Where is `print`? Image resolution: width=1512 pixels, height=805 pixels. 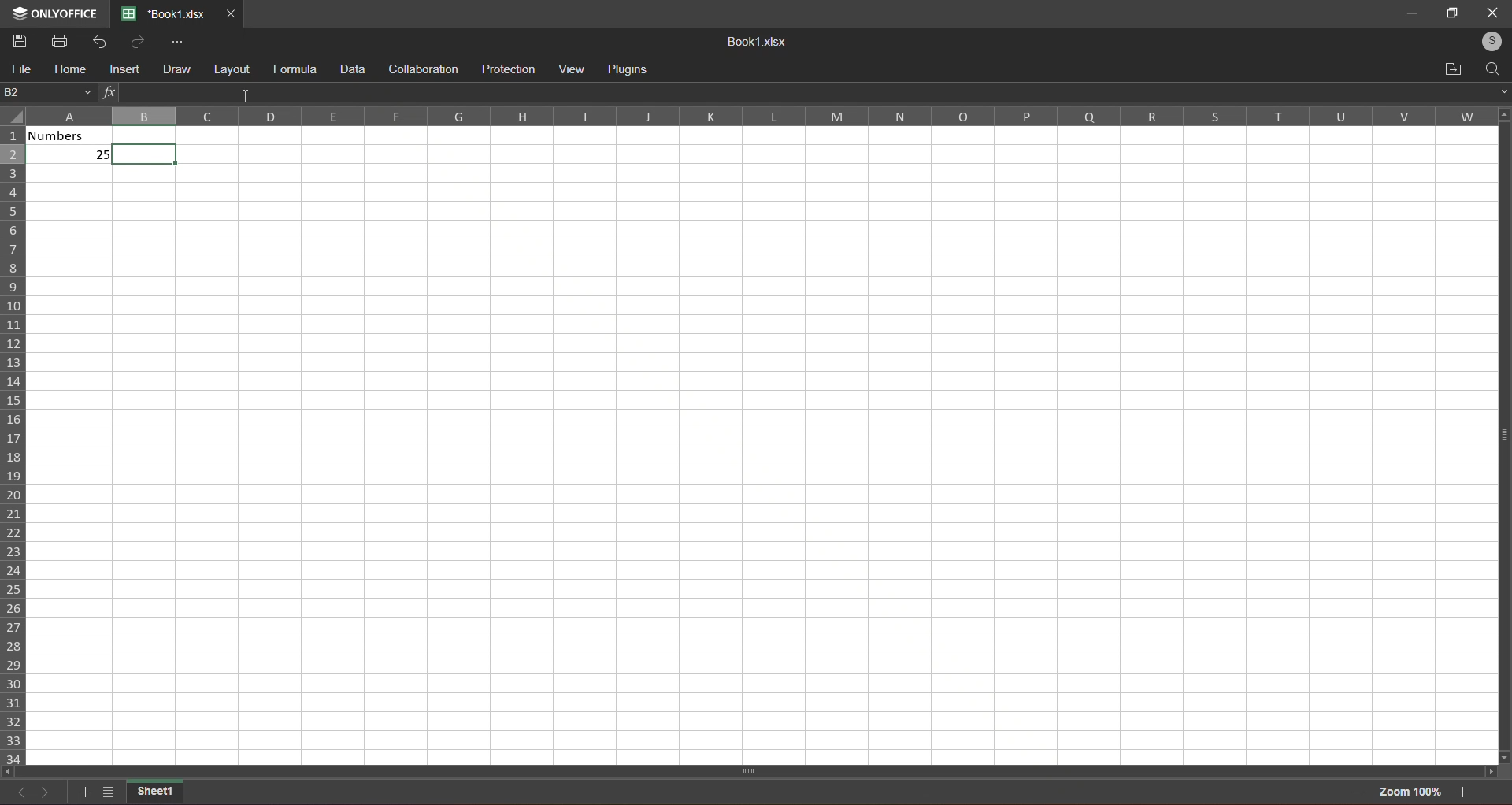 print is located at coordinates (58, 40).